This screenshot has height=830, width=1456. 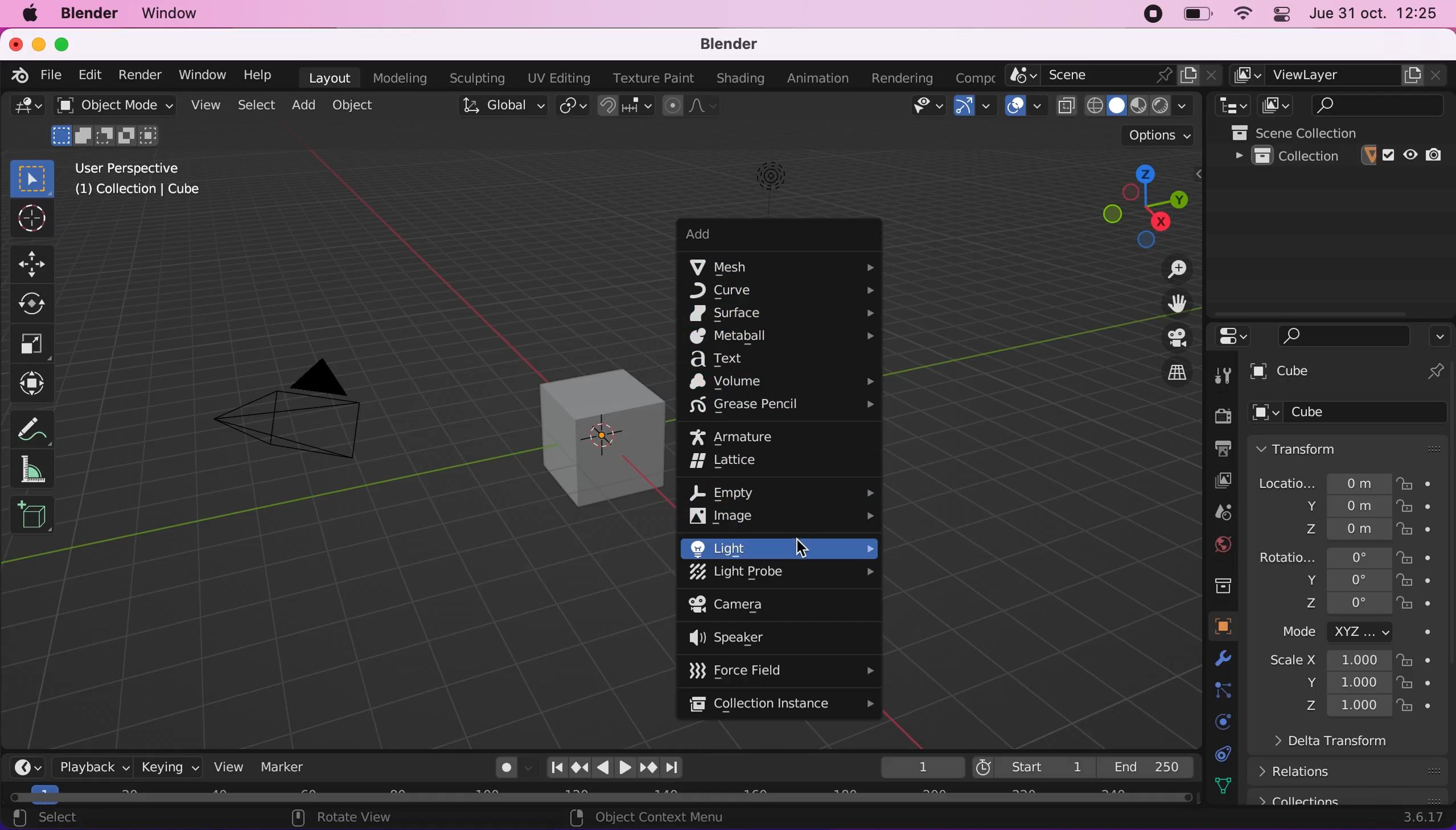 I want to click on scene collection, so click(x=1341, y=132).